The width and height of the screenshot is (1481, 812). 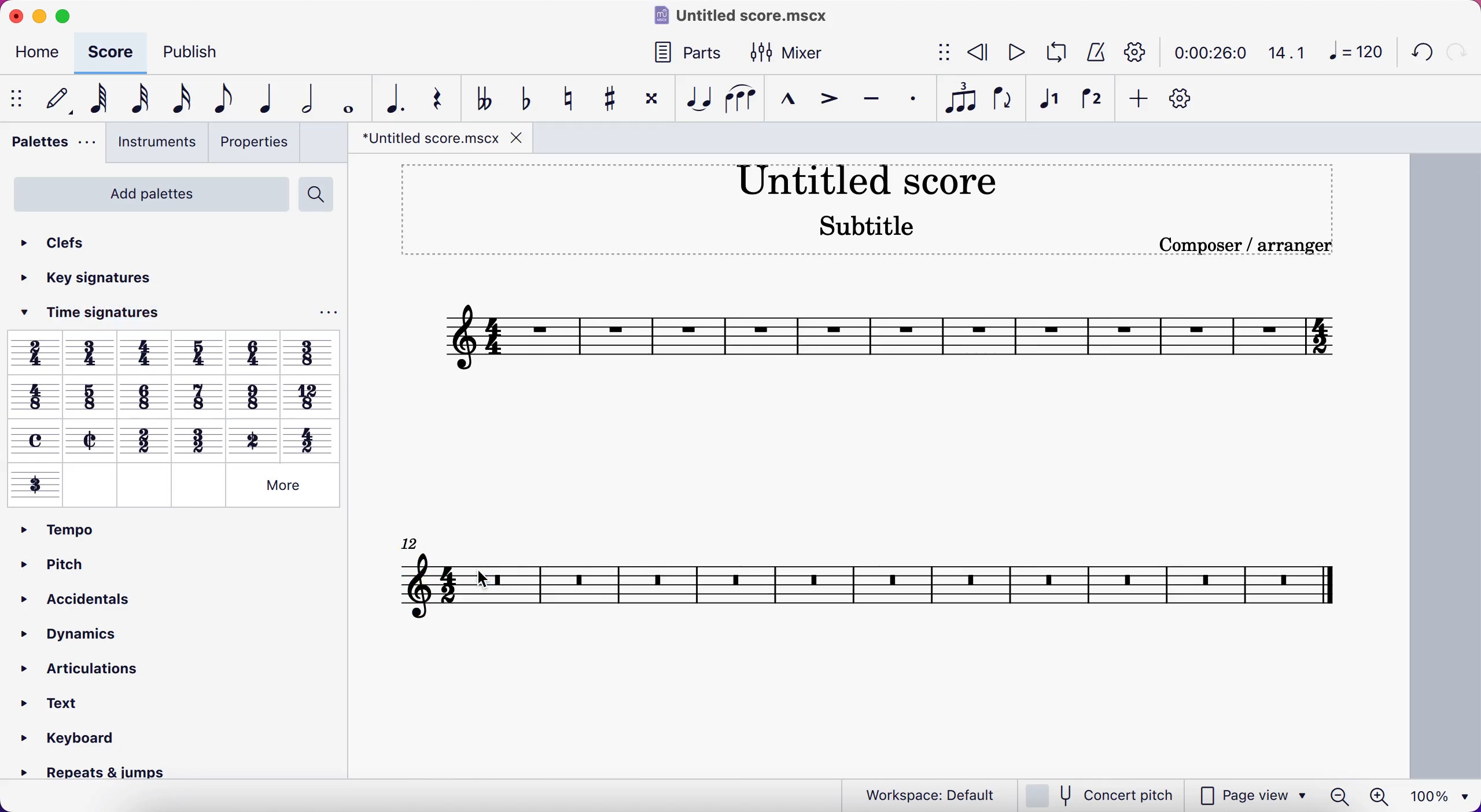 What do you see at coordinates (253, 438) in the screenshot?
I see `` at bounding box center [253, 438].